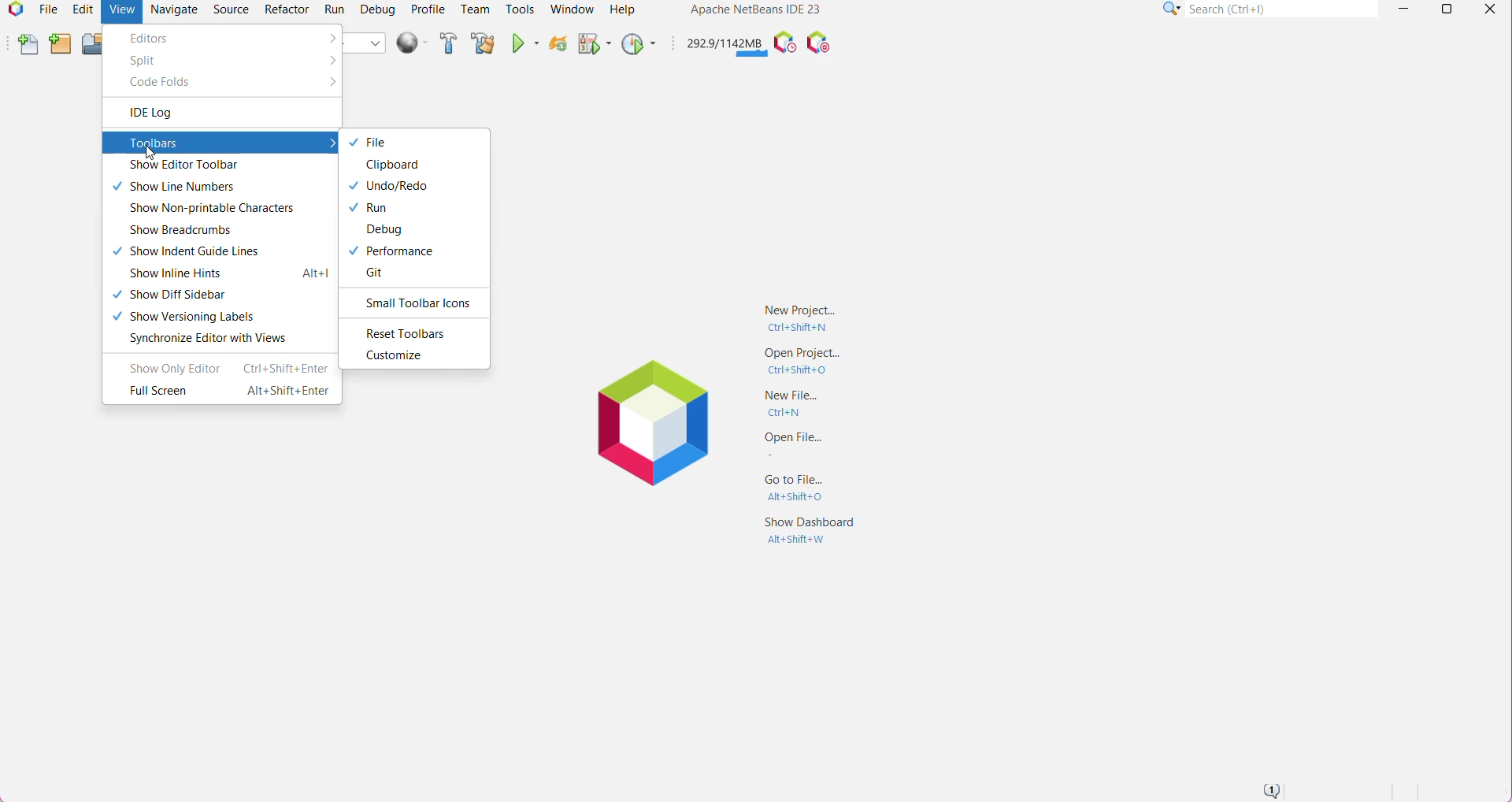 This screenshot has height=802, width=1512. I want to click on Source, so click(231, 9).